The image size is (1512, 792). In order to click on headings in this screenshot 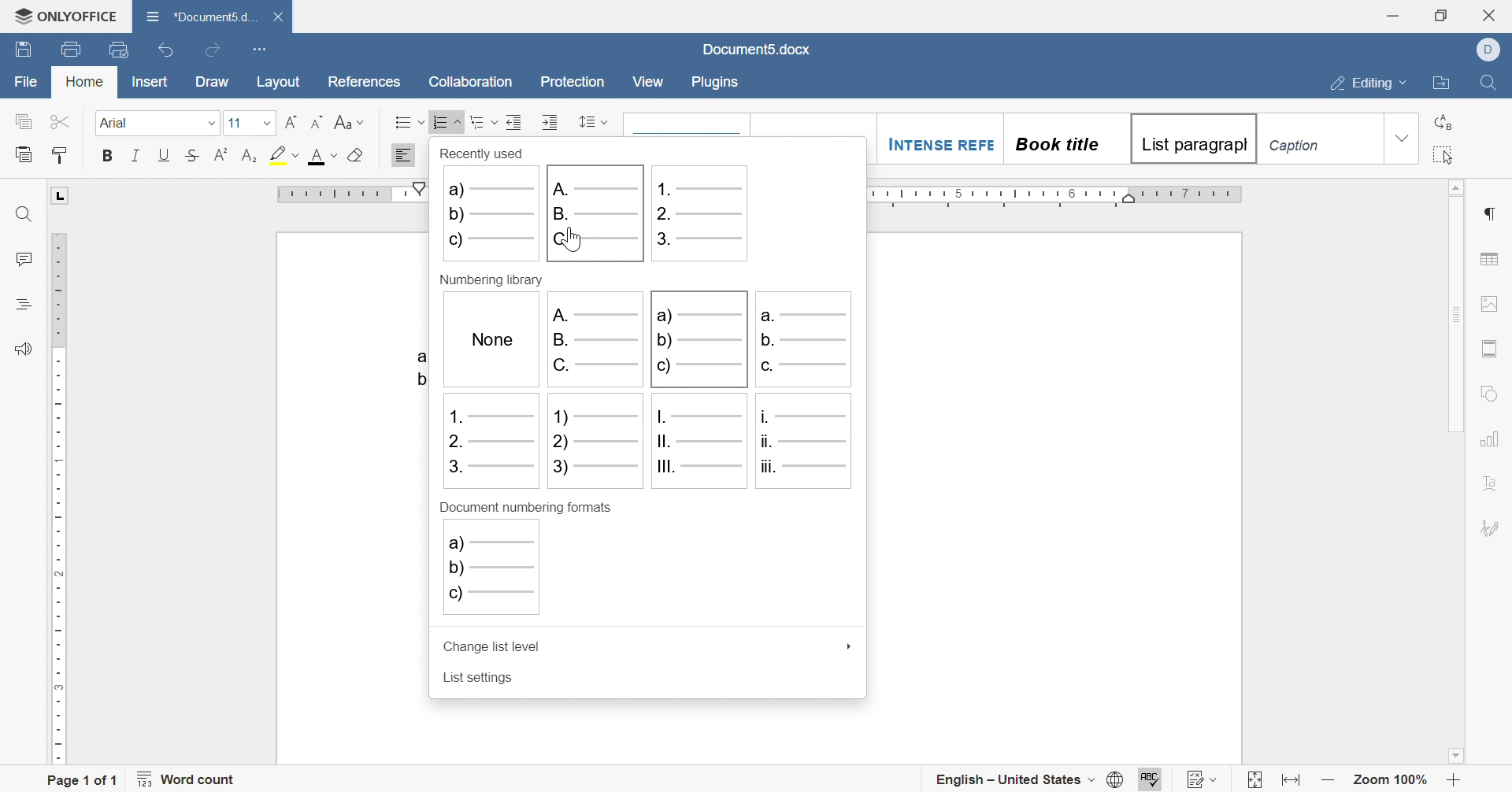, I will do `click(23, 304)`.